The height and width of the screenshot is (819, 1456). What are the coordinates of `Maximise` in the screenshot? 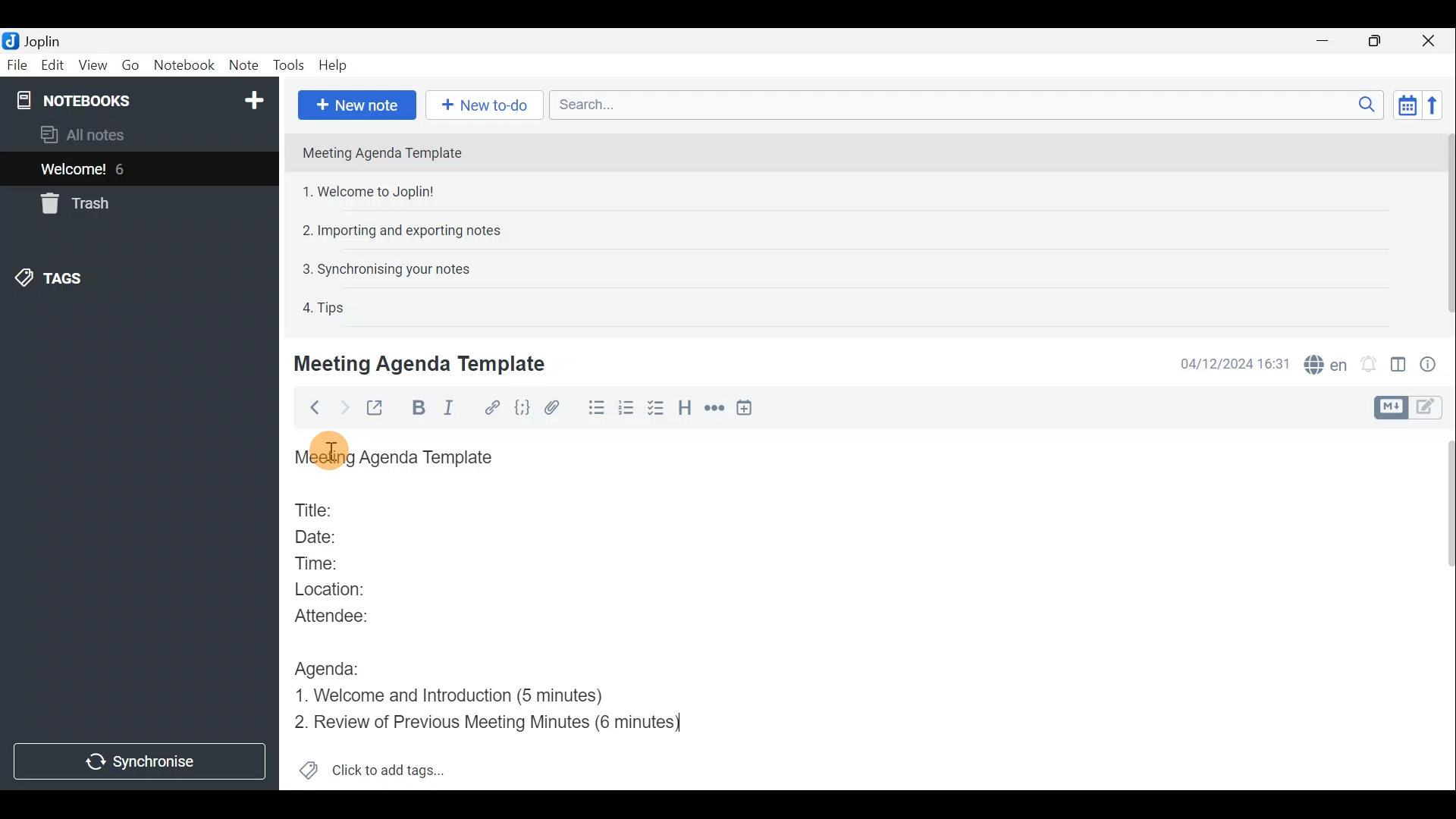 It's located at (1376, 42).